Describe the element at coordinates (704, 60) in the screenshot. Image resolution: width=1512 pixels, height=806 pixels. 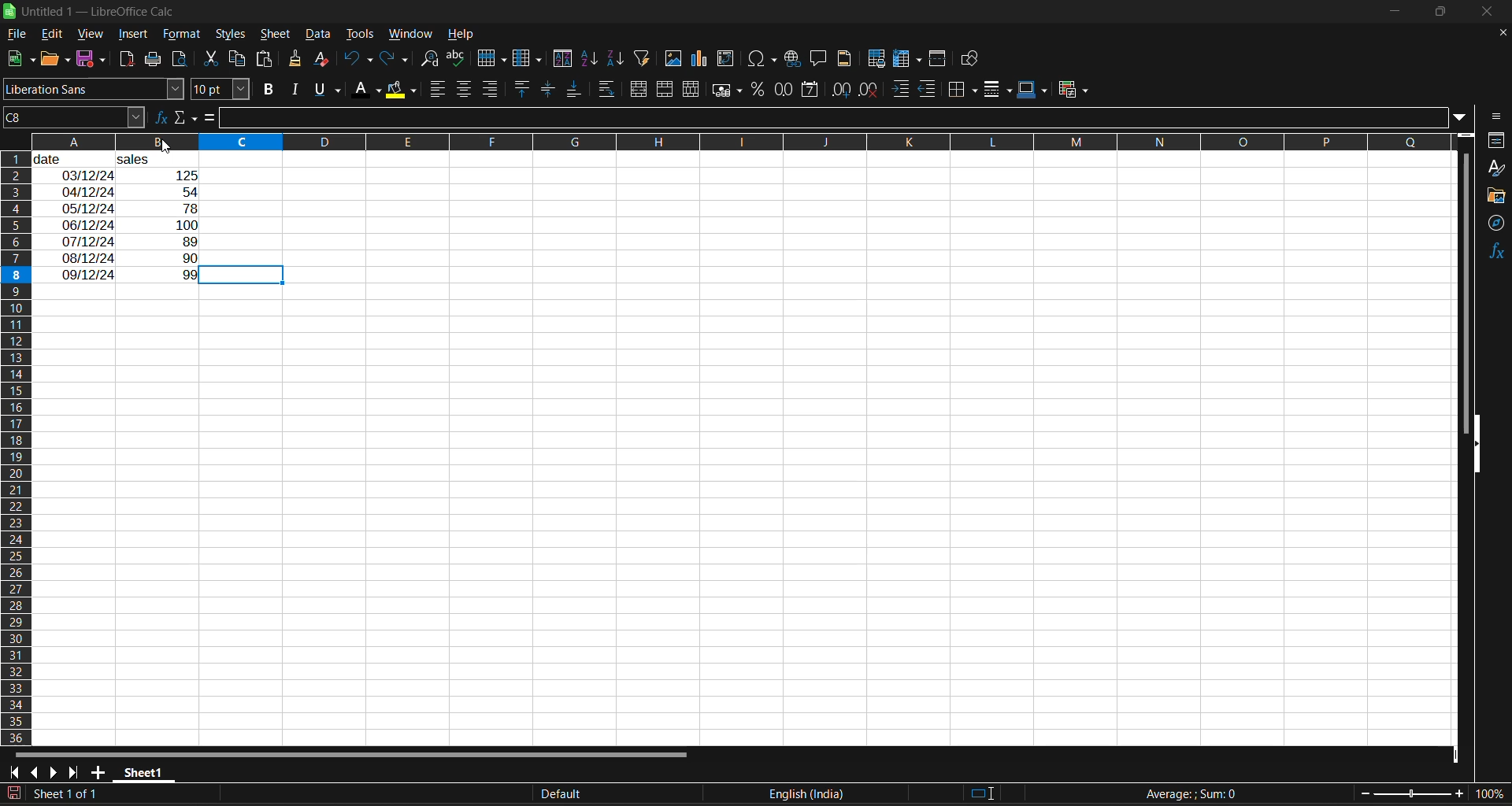
I see `insert chart` at that location.